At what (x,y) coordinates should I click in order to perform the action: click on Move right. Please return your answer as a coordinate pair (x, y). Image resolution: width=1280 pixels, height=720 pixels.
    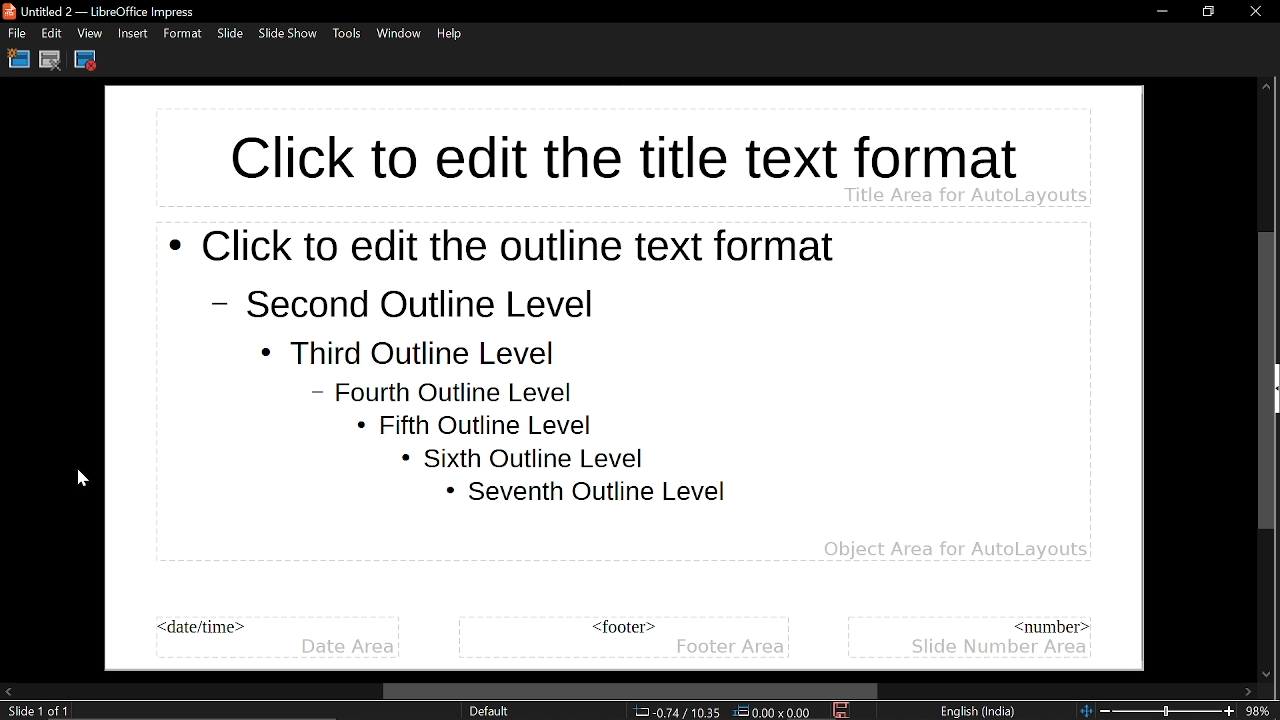
    Looking at the image, I should click on (1246, 692).